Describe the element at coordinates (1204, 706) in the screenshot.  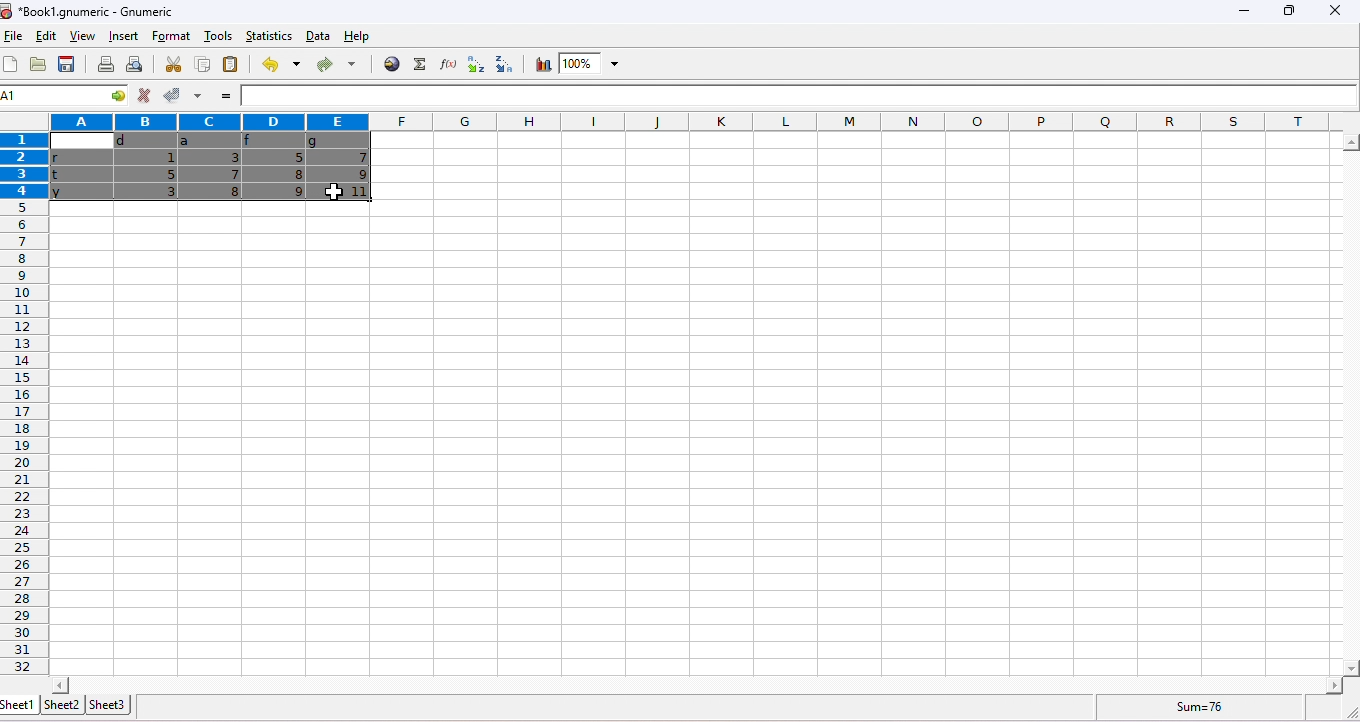
I see `sum=76` at that location.